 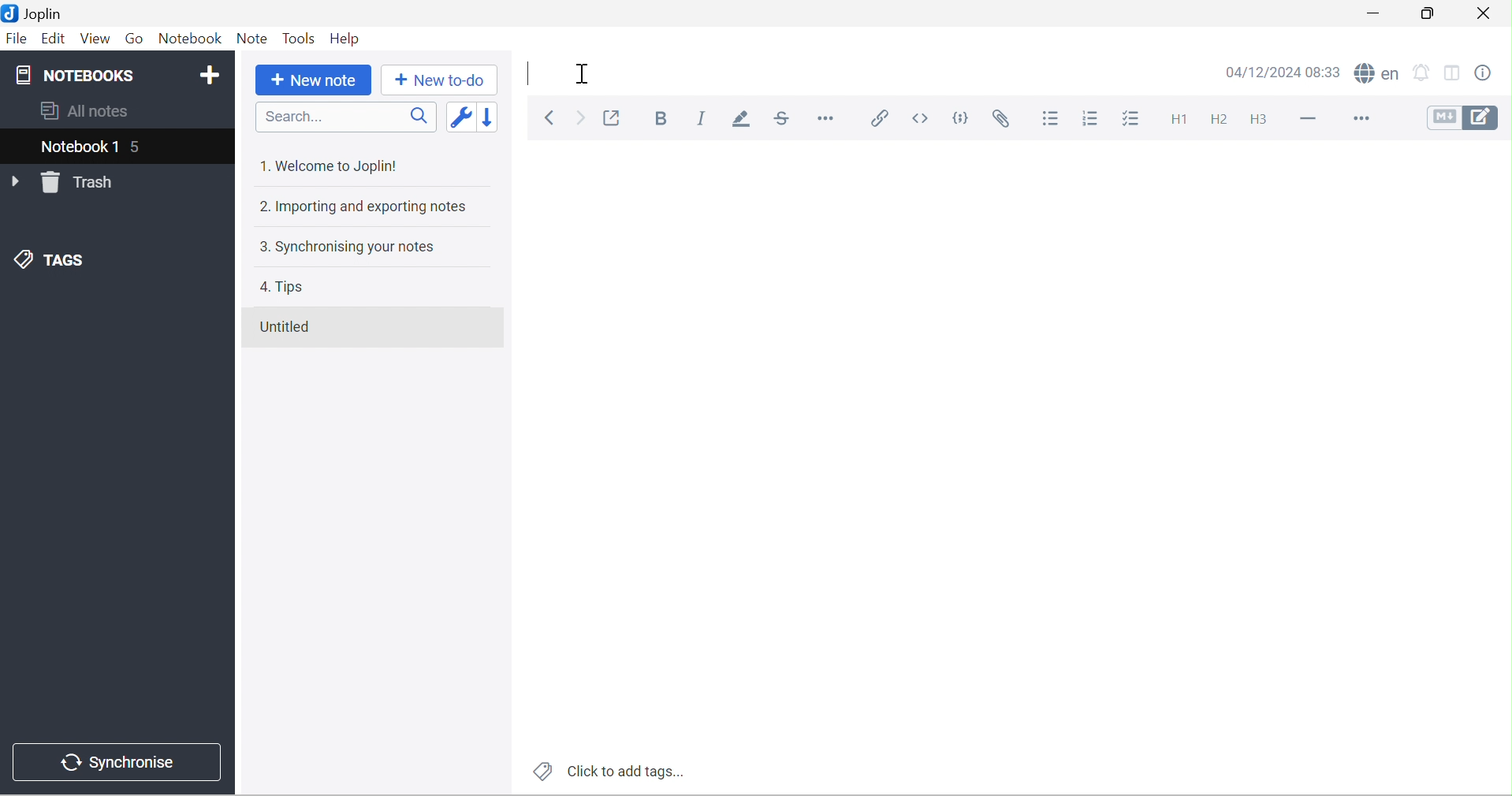 What do you see at coordinates (784, 117) in the screenshot?
I see `Strikethrough` at bounding box center [784, 117].